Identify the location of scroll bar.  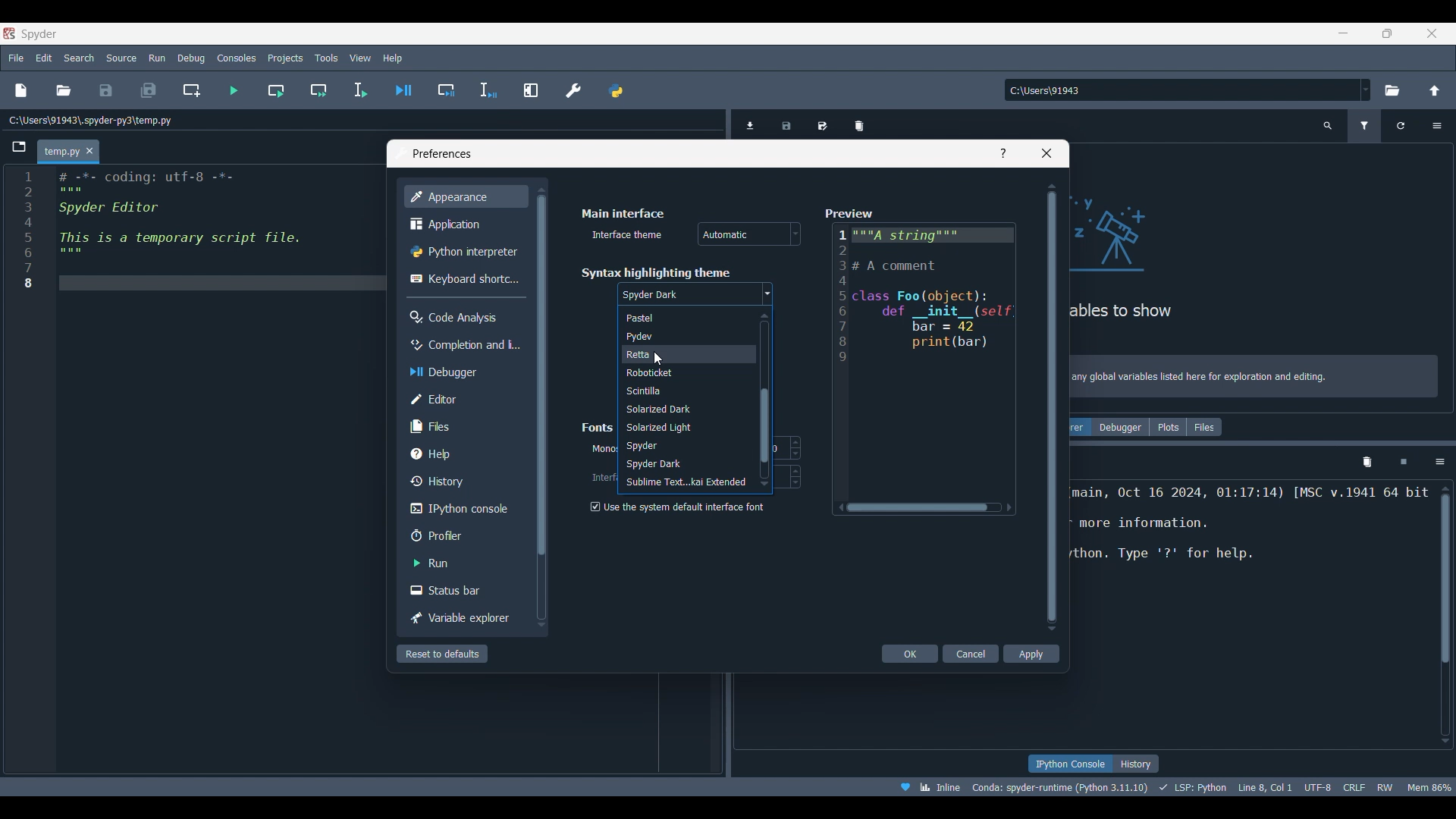
(762, 400).